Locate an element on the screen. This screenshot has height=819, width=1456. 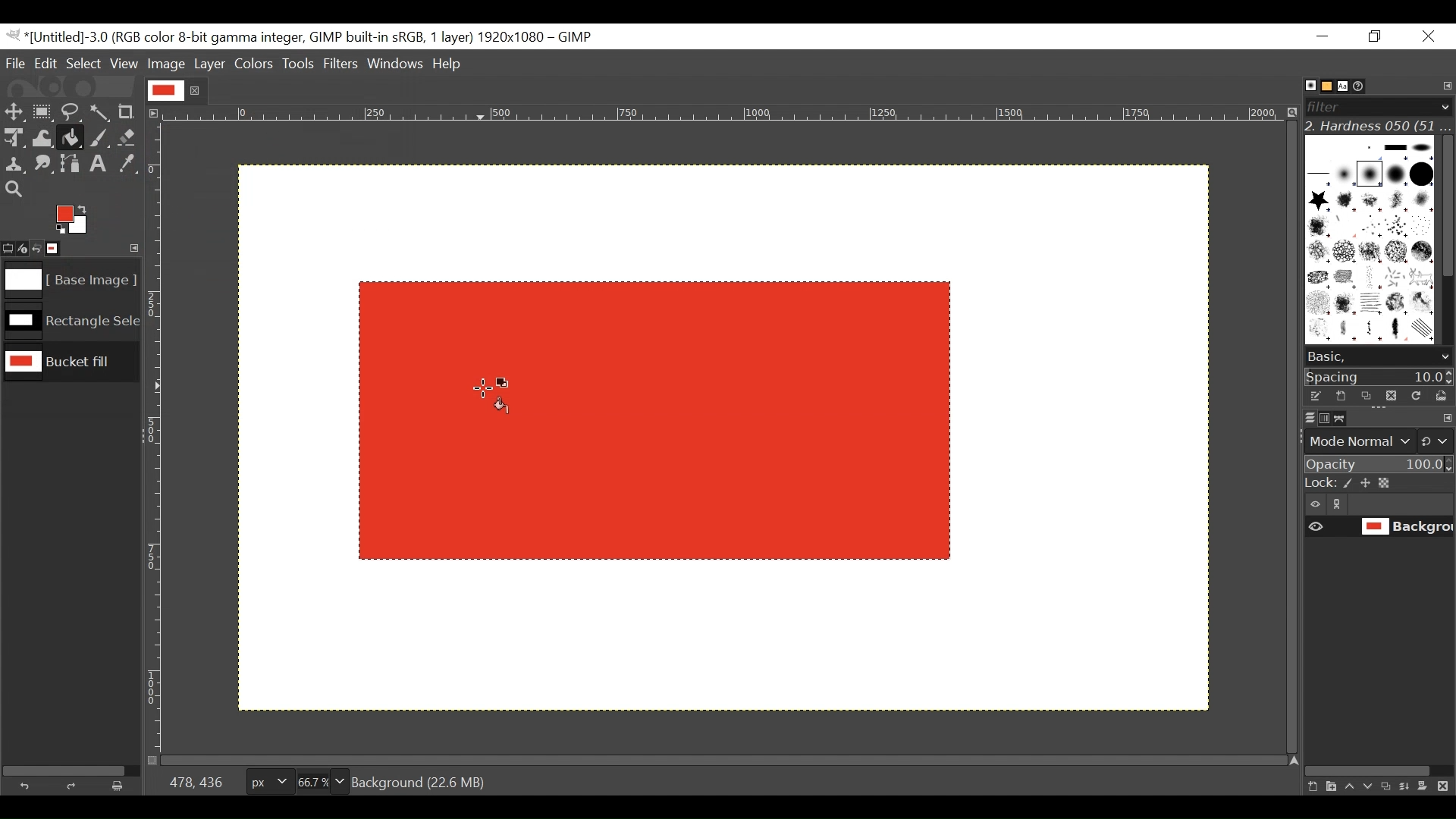
Edit the brush is located at coordinates (1315, 396).